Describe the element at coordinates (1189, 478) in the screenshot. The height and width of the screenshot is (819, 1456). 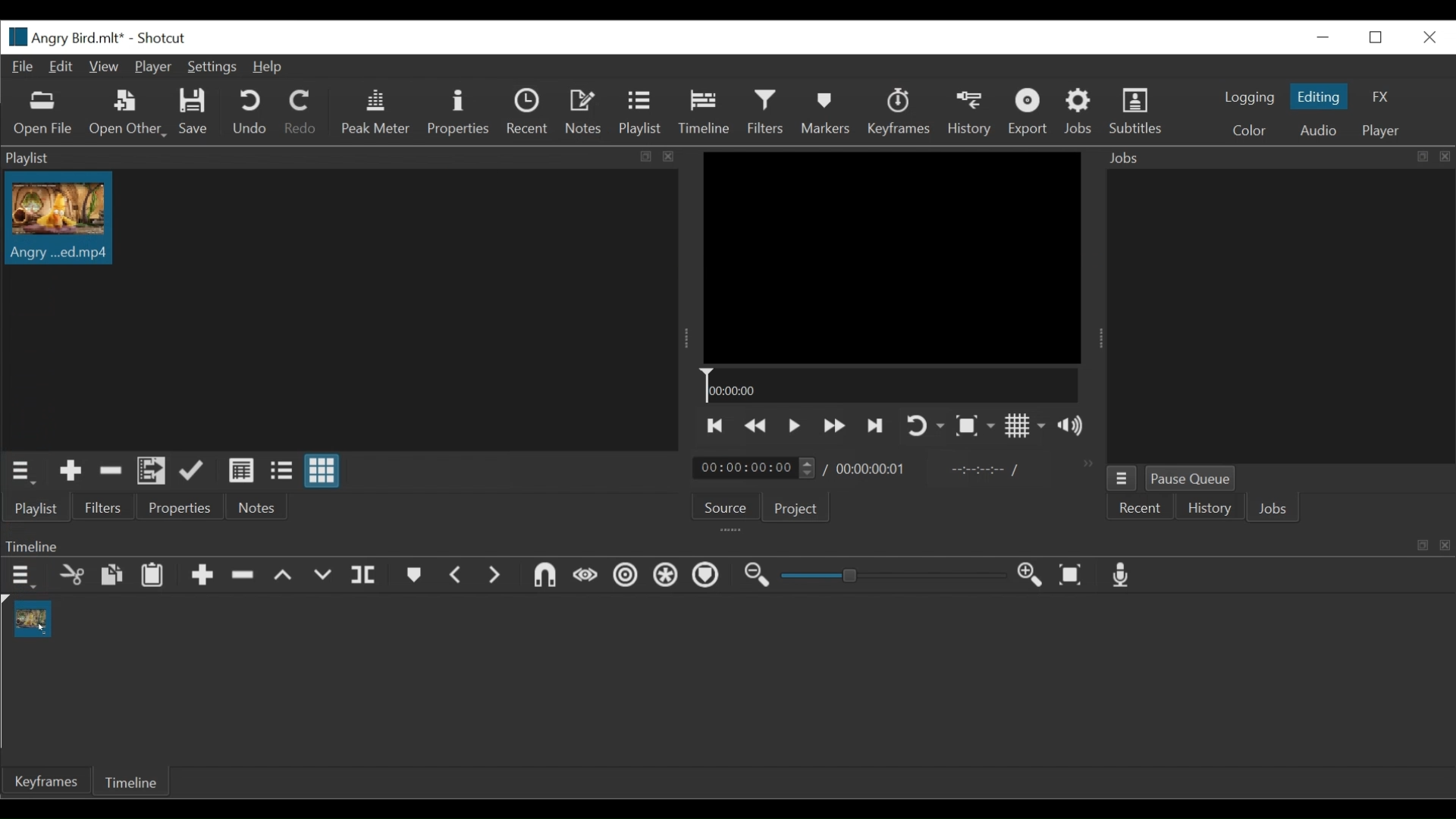
I see `Pause Queue` at that location.